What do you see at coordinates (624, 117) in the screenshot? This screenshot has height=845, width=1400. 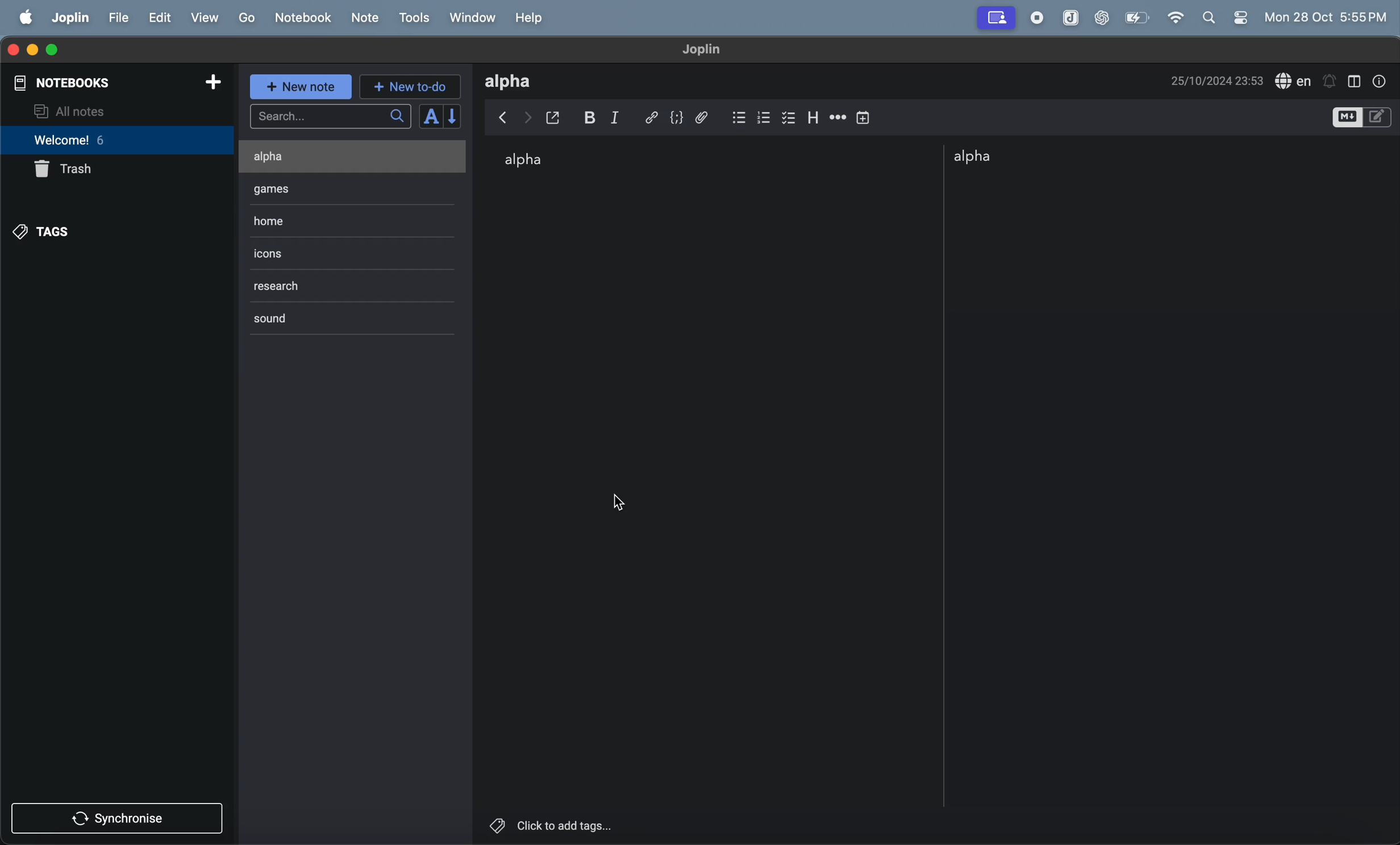 I see `itallic` at bounding box center [624, 117].